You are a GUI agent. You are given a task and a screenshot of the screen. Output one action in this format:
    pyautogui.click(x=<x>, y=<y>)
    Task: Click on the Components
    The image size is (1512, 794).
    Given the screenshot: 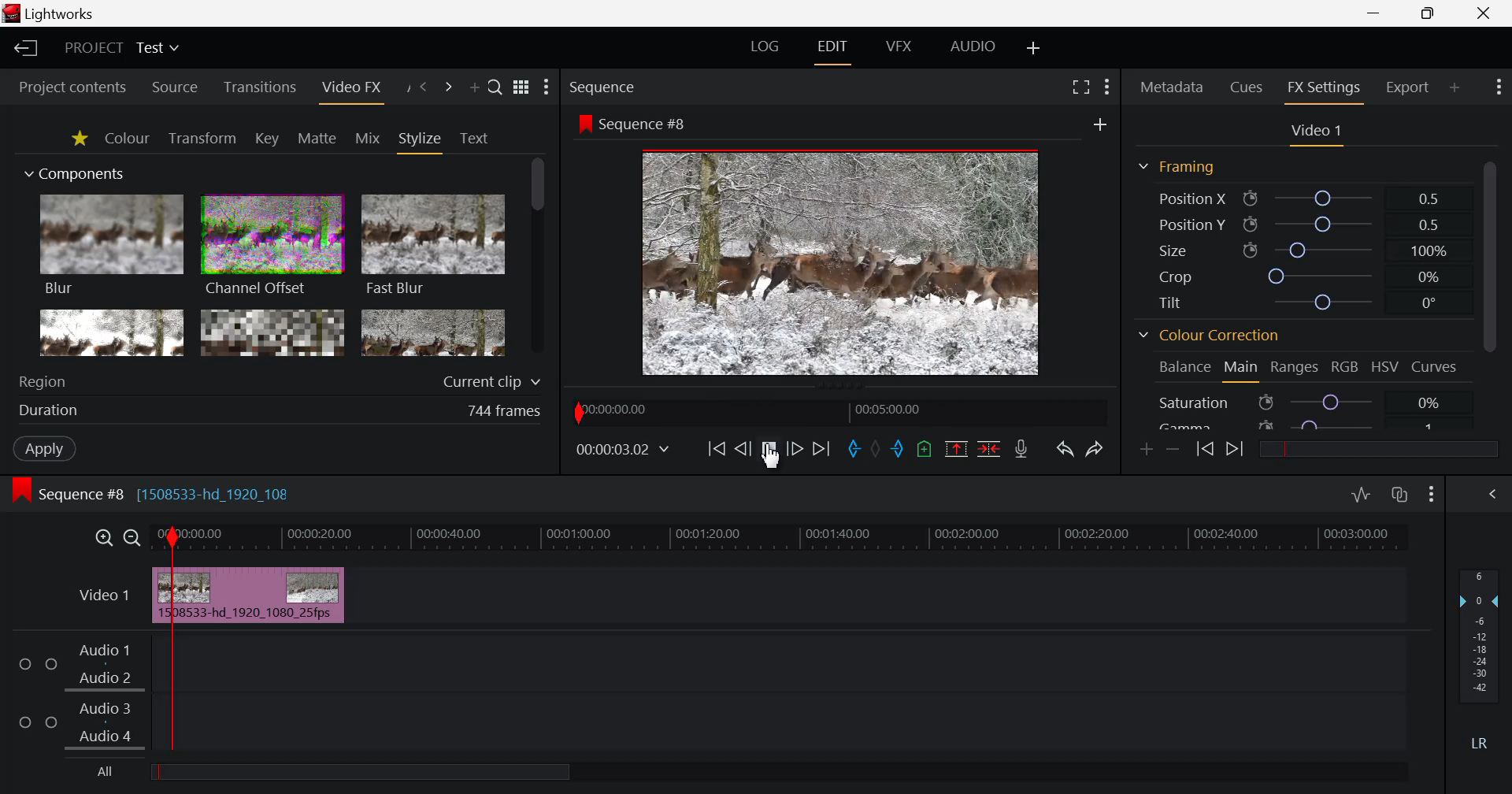 What is the action you would take?
    pyautogui.click(x=76, y=175)
    